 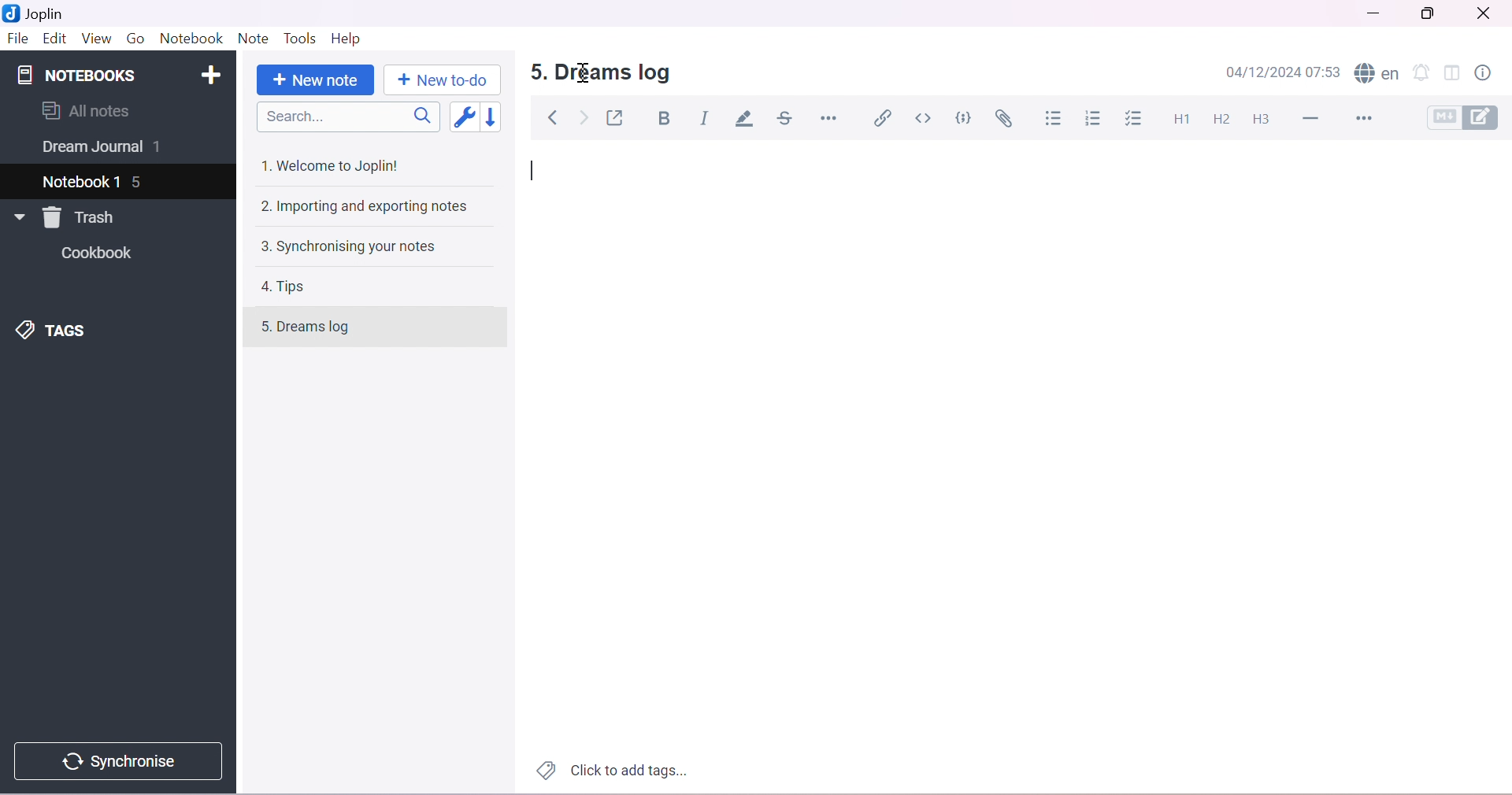 I want to click on More, so click(x=1368, y=120).